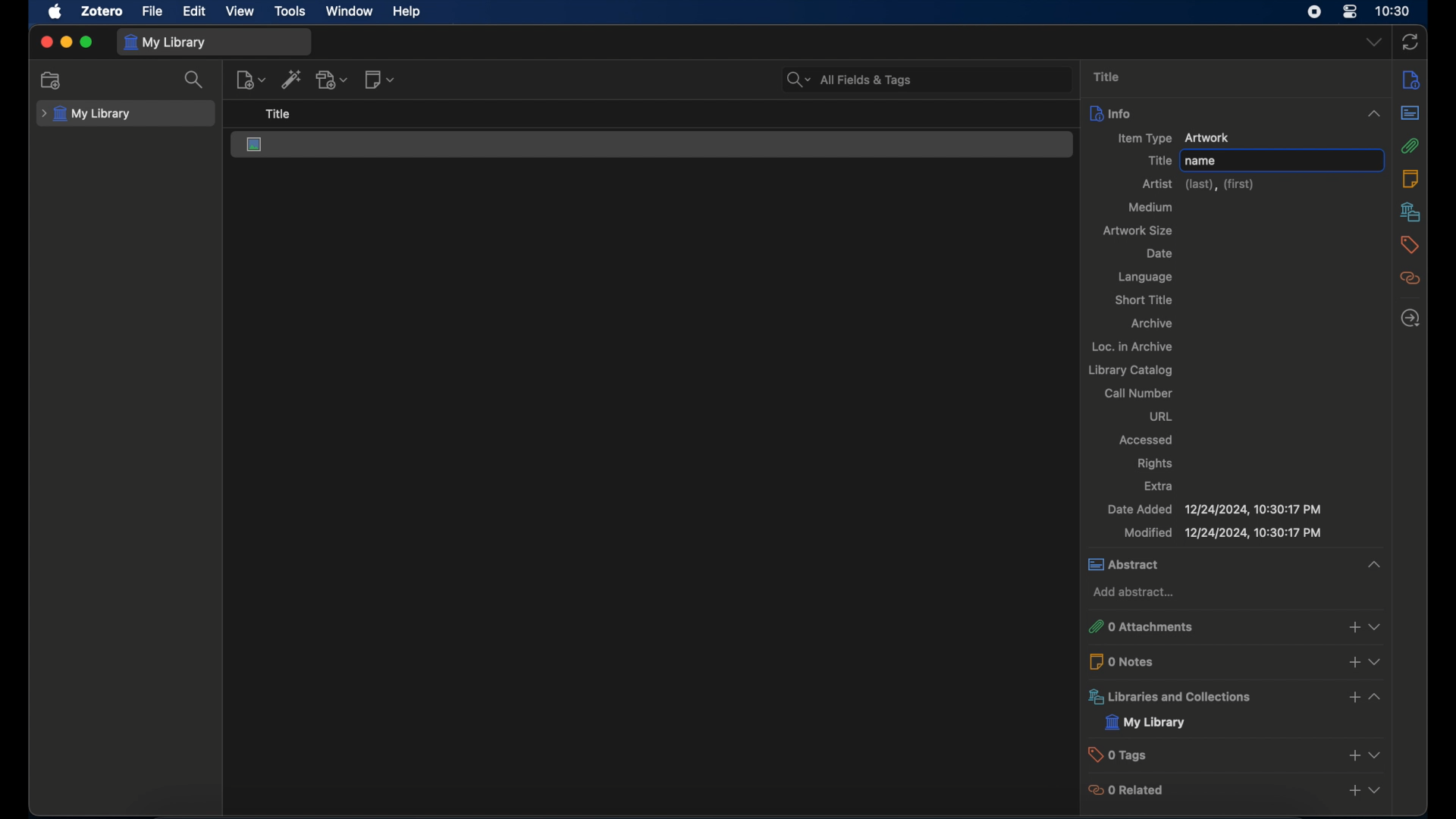 Image resolution: width=1456 pixels, height=819 pixels. What do you see at coordinates (1129, 371) in the screenshot?
I see `library catalog` at bounding box center [1129, 371].